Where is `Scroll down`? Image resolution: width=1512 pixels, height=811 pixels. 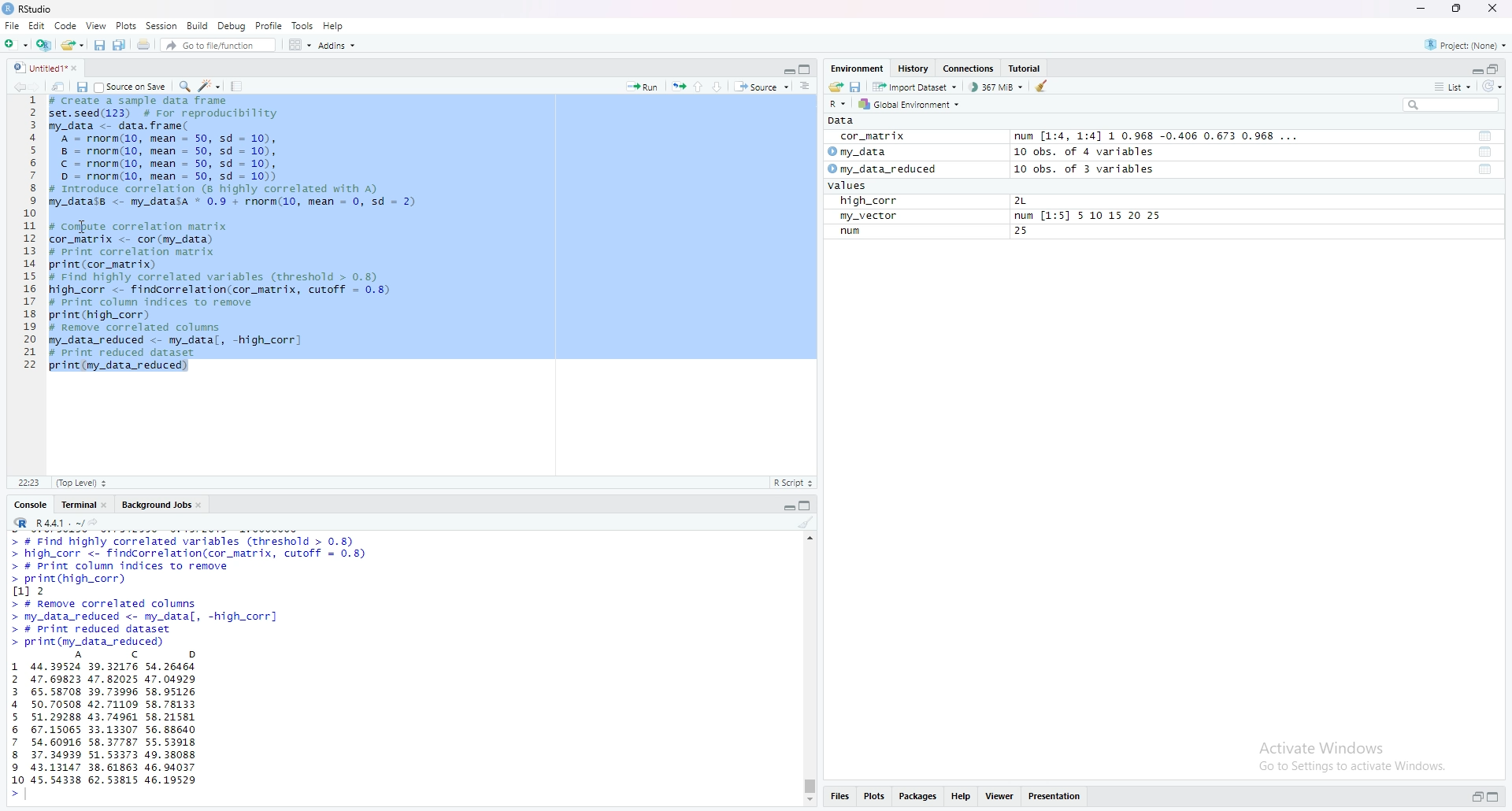
Scroll down is located at coordinates (812, 802).